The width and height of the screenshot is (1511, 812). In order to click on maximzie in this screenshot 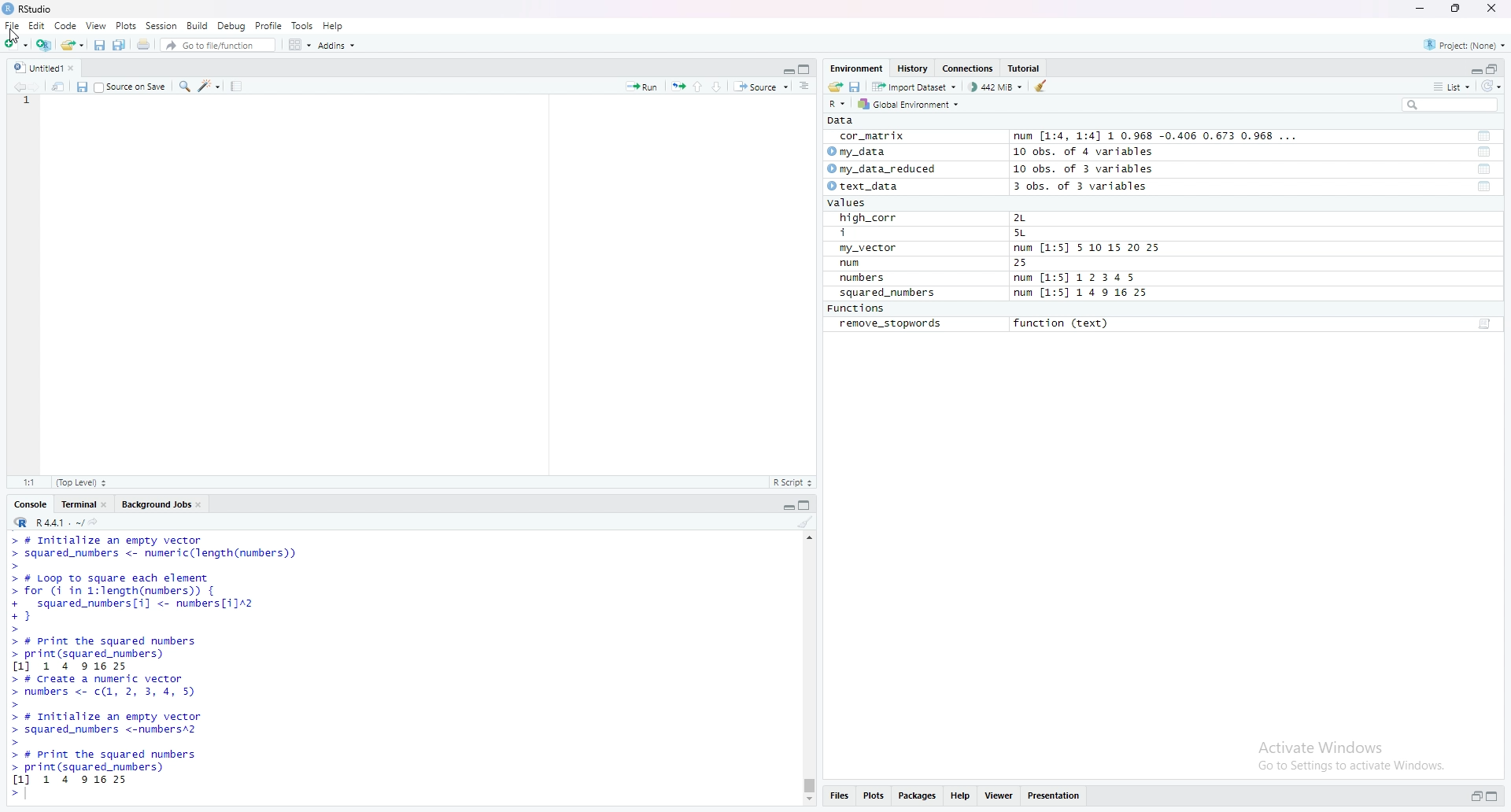, I will do `click(1496, 67)`.